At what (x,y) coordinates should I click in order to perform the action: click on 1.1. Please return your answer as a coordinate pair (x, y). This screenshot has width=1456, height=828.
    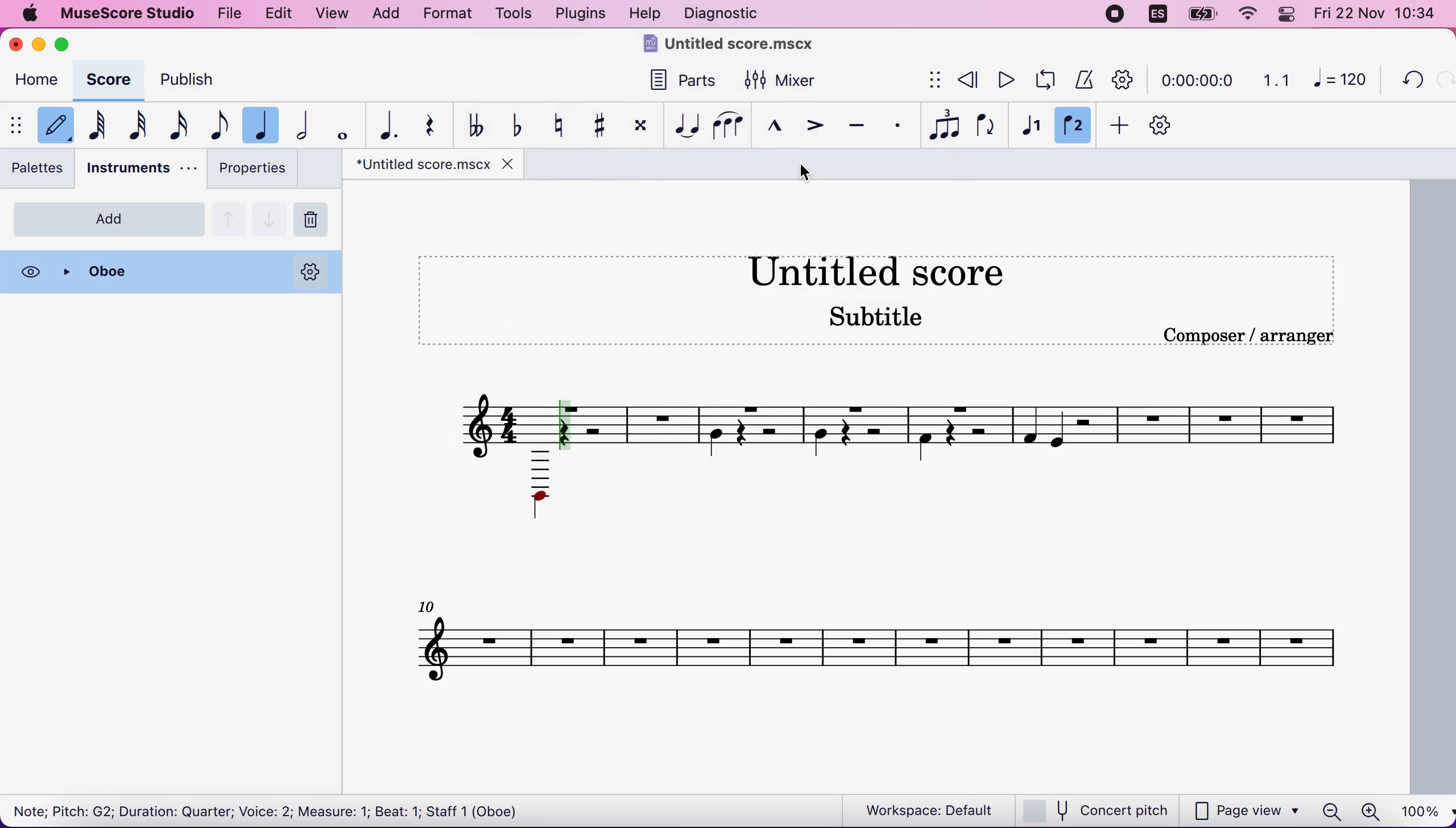
    Looking at the image, I should click on (1272, 78).